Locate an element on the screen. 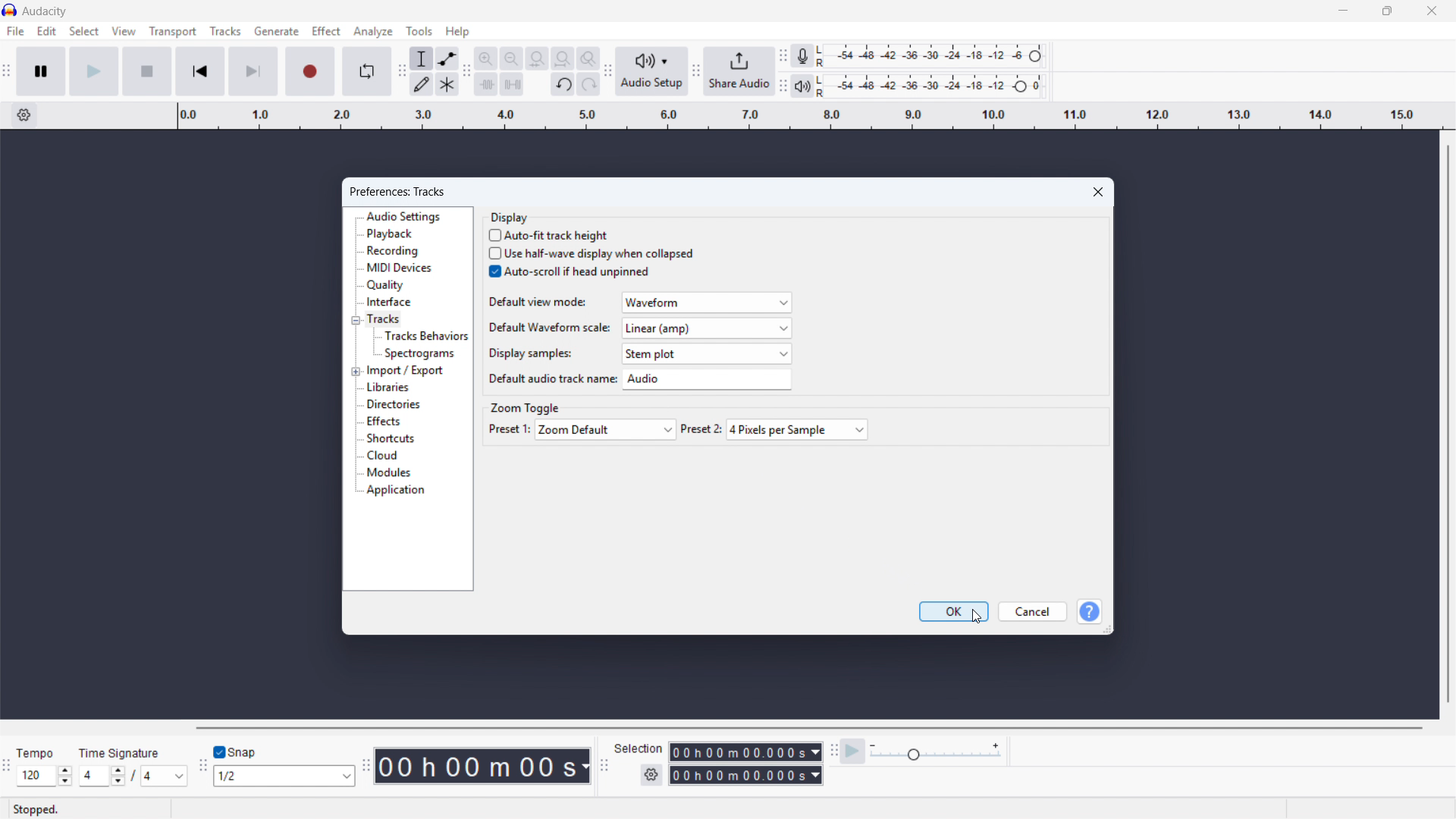 This screenshot has height=819, width=1456. generate is located at coordinates (276, 31).